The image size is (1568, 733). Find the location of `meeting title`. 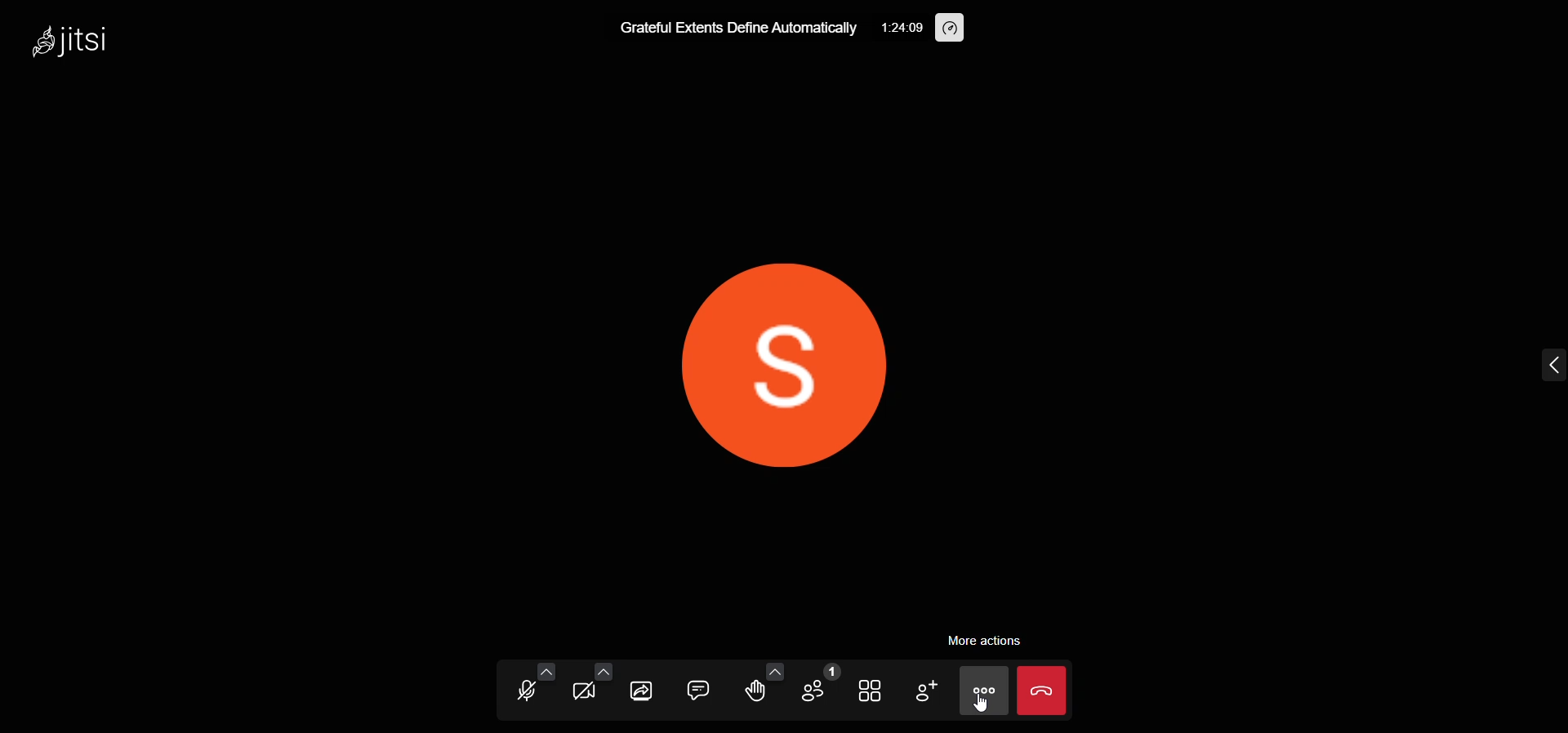

meeting title is located at coordinates (732, 31).